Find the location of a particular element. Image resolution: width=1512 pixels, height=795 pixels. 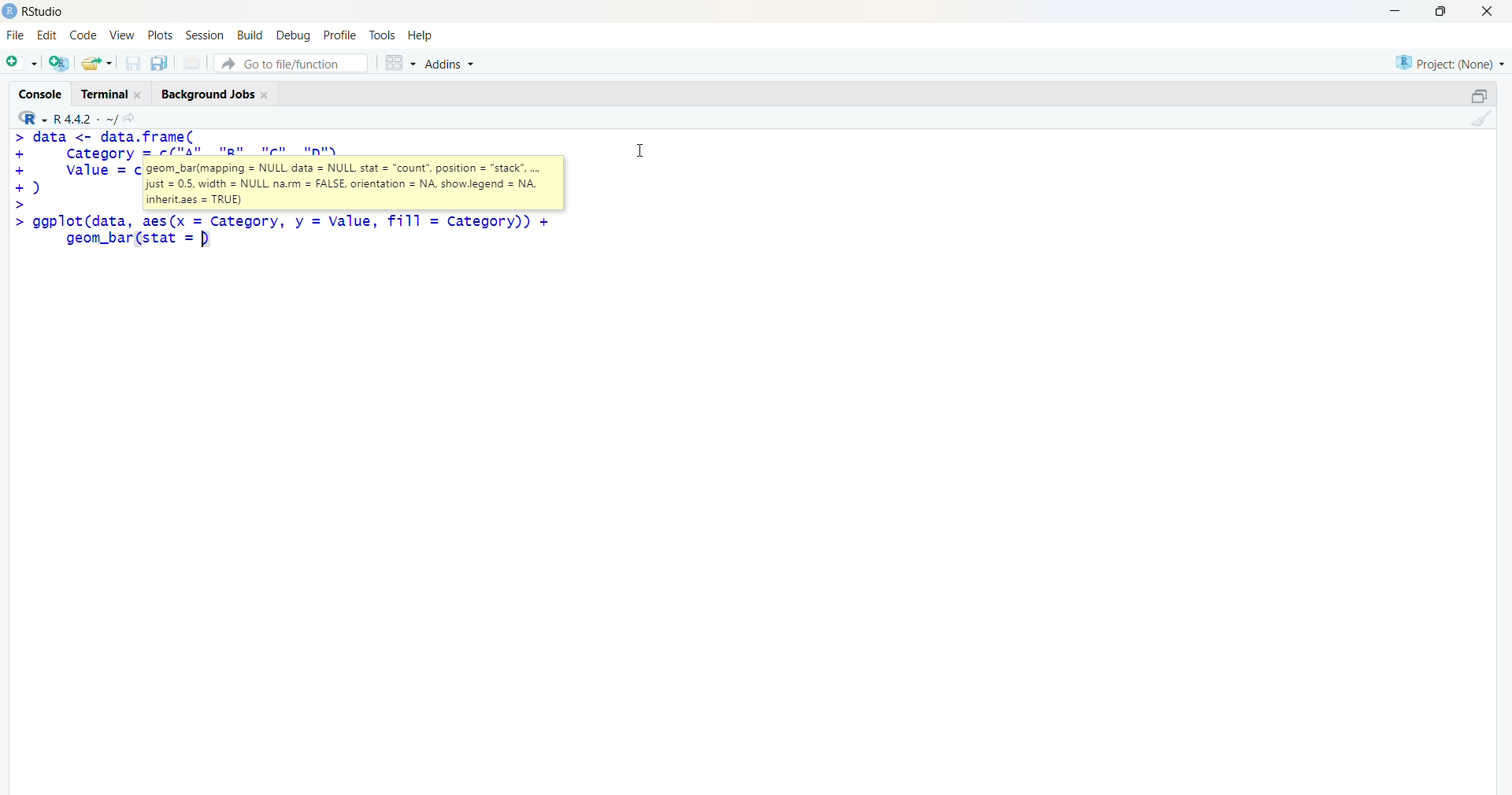

build is located at coordinates (249, 35).